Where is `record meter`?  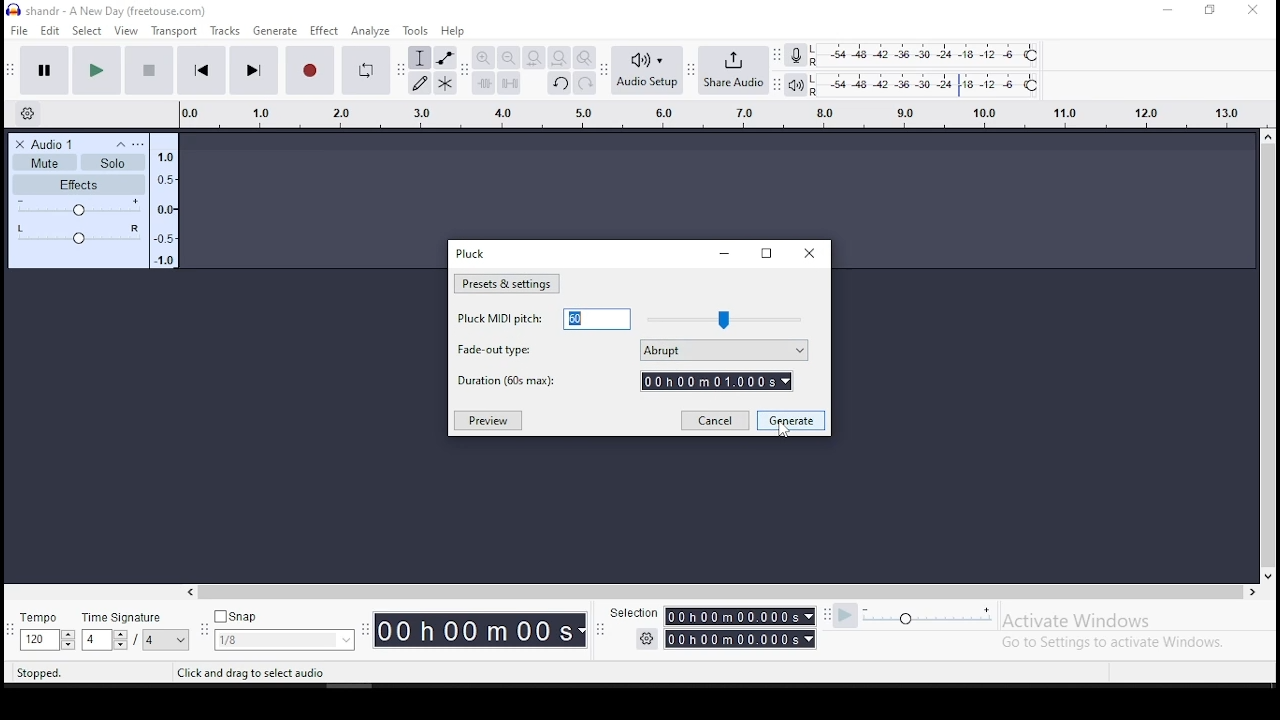
record meter is located at coordinates (795, 56).